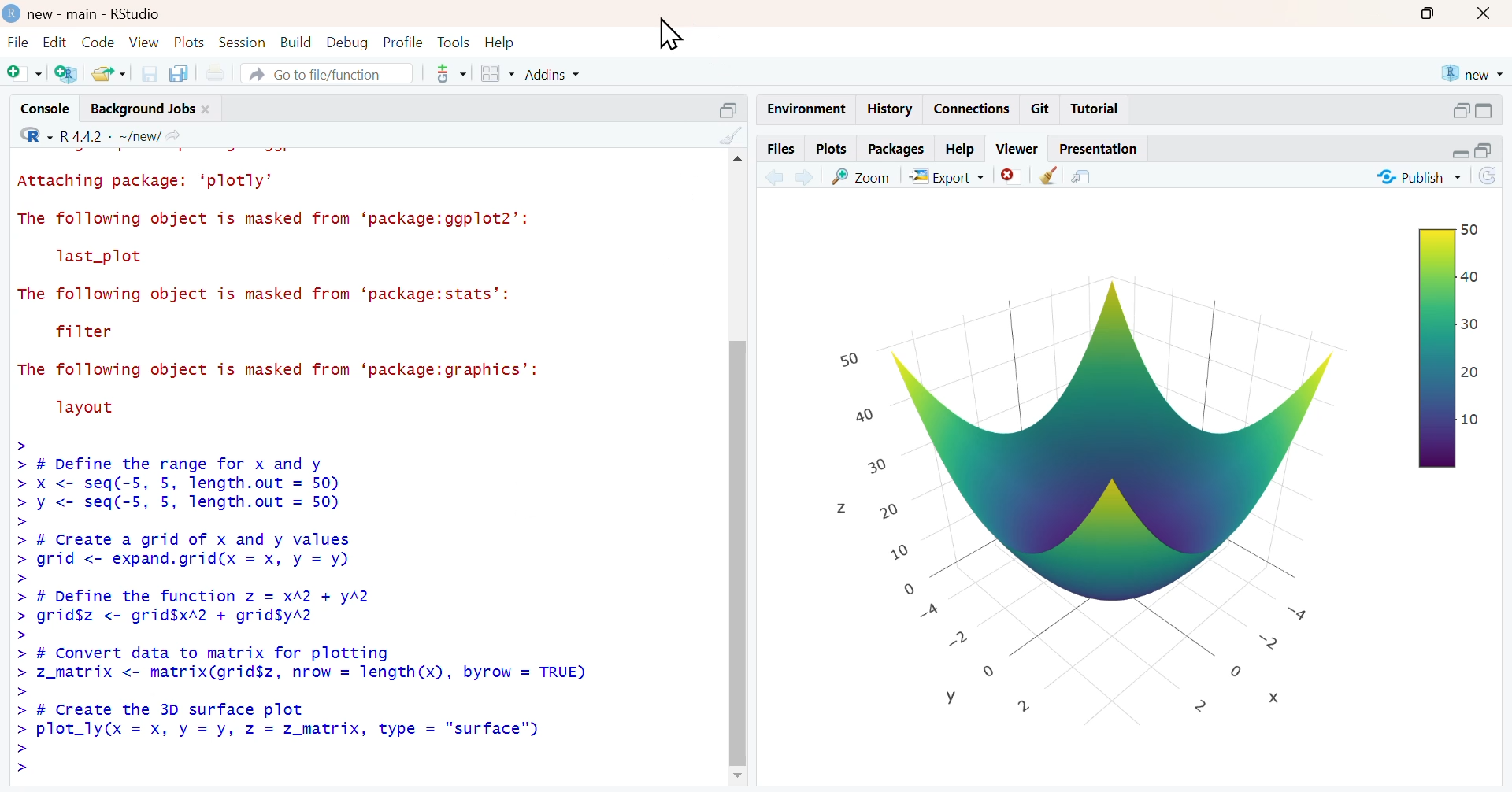 This screenshot has height=792, width=1512. Describe the element at coordinates (97, 13) in the screenshot. I see `new-main-RStudio` at that location.